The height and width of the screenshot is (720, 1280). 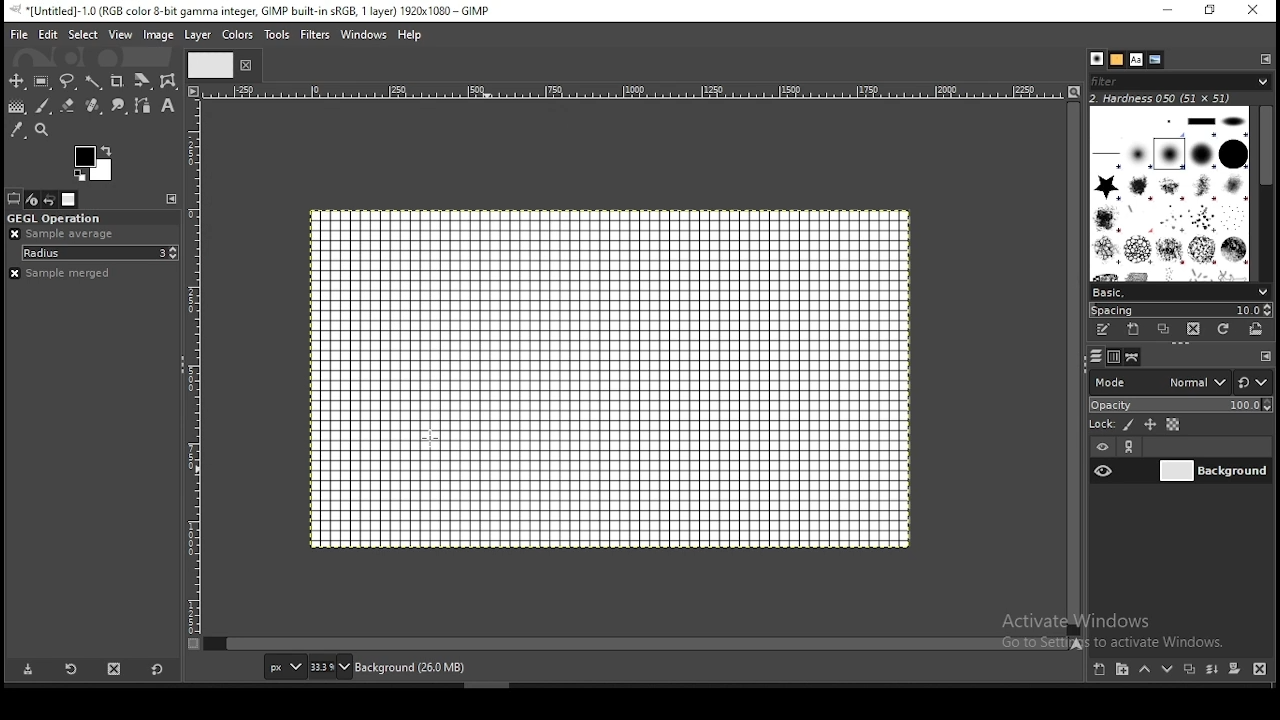 I want to click on smudge tool, so click(x=121, y=107).